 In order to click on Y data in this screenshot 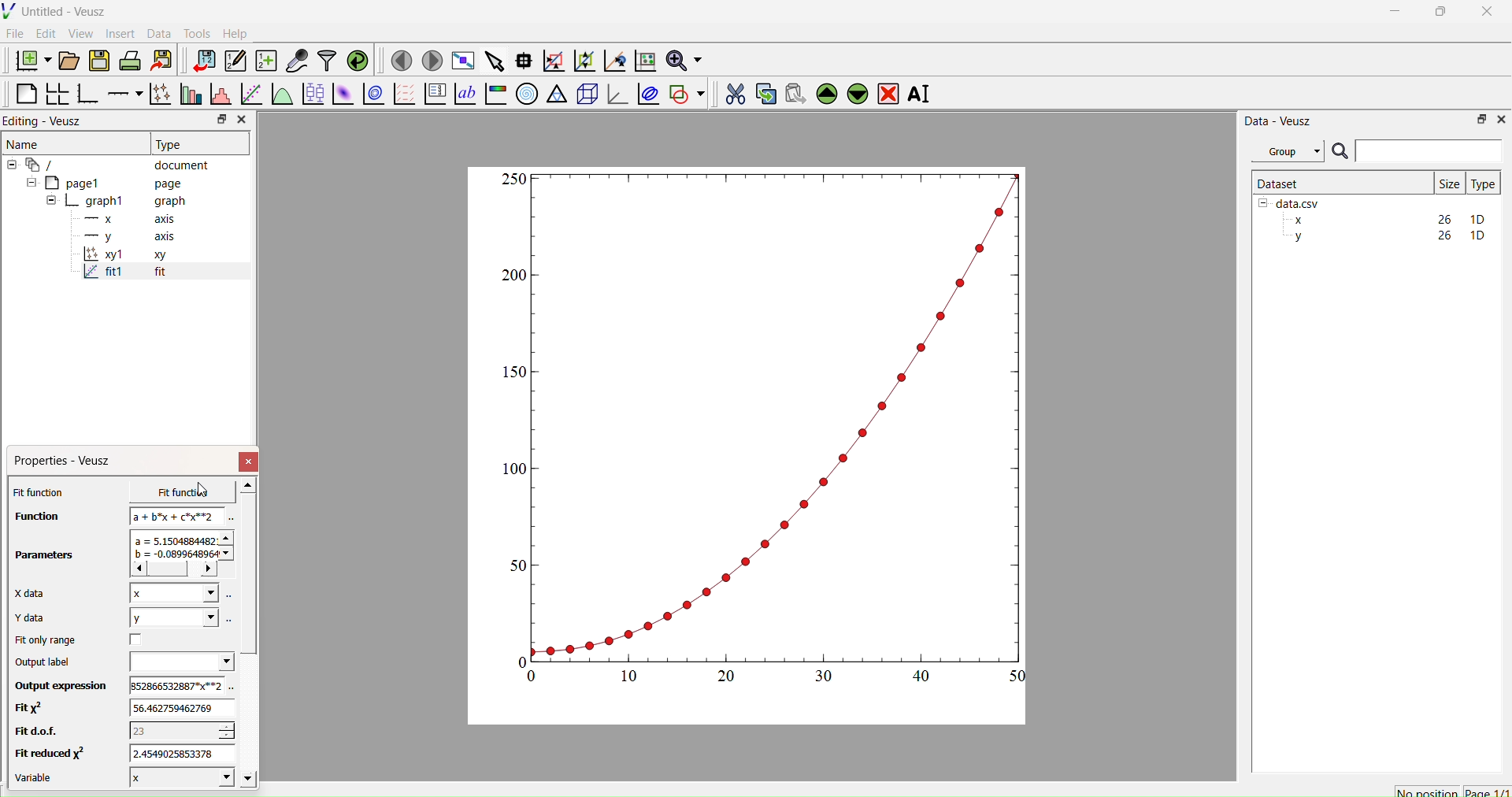, I will do `click(39, 618)`.